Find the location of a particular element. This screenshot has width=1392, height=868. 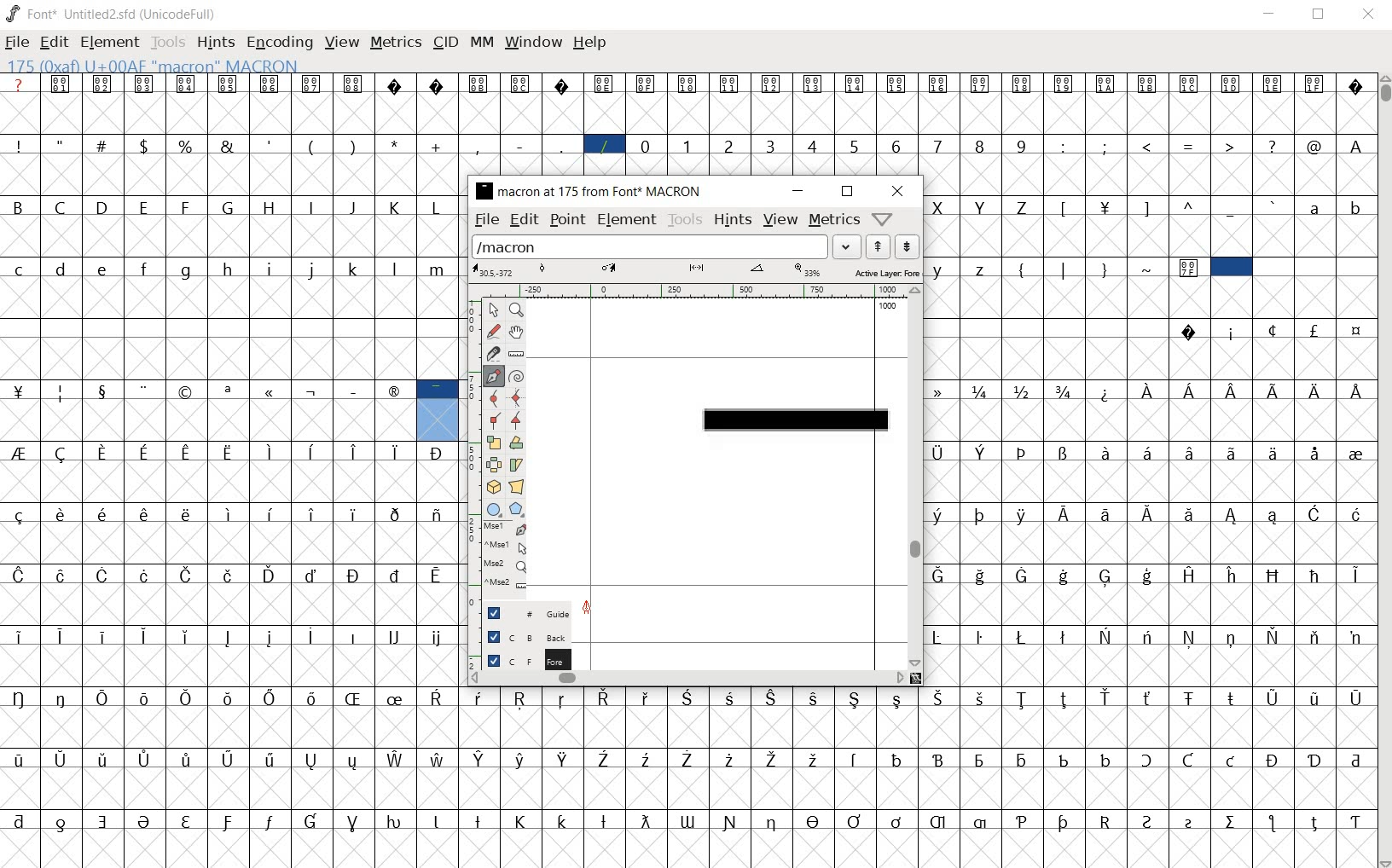

Symbol is located at coordinates (1232, 85).